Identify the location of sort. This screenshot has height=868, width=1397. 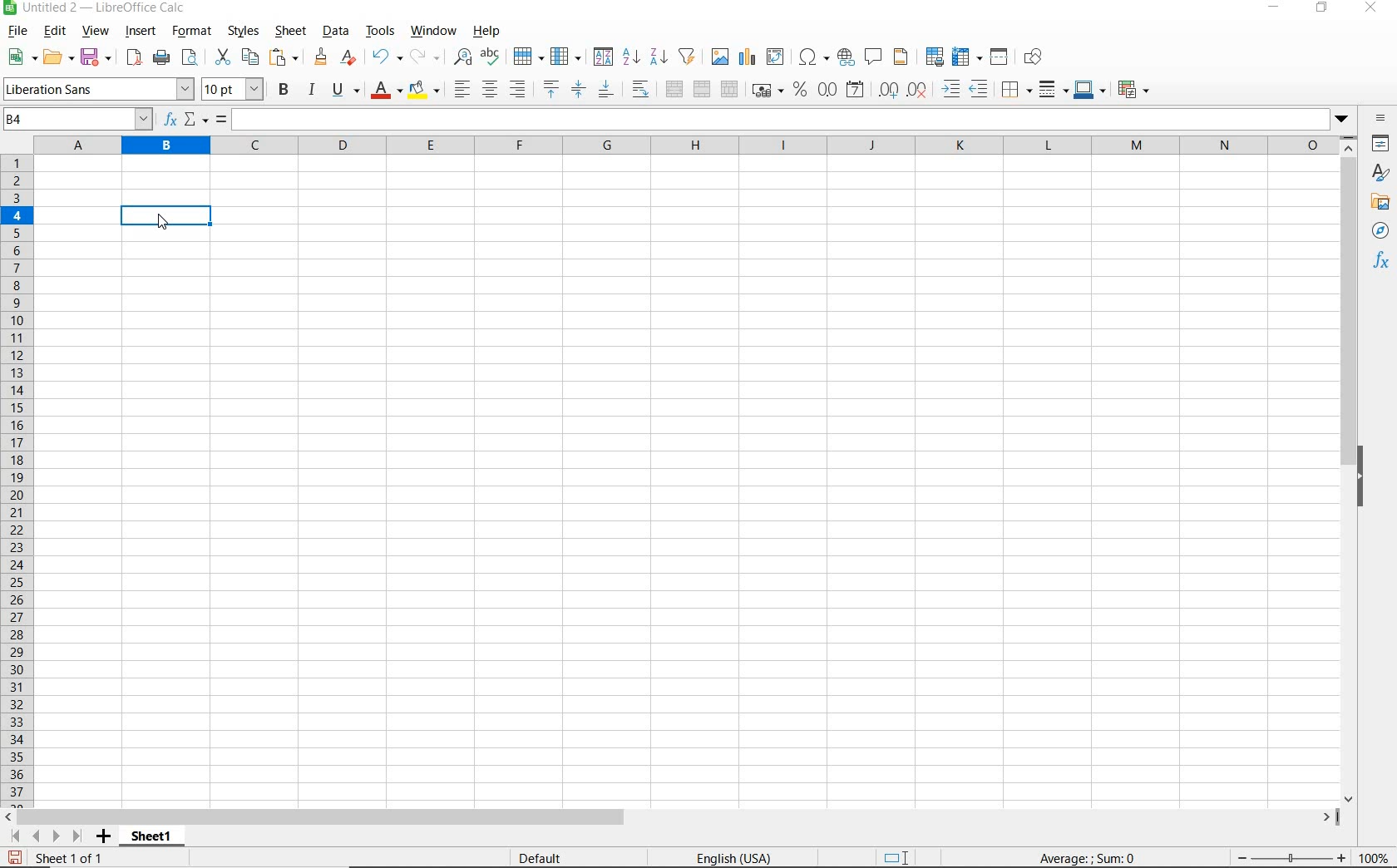
(602, 57).